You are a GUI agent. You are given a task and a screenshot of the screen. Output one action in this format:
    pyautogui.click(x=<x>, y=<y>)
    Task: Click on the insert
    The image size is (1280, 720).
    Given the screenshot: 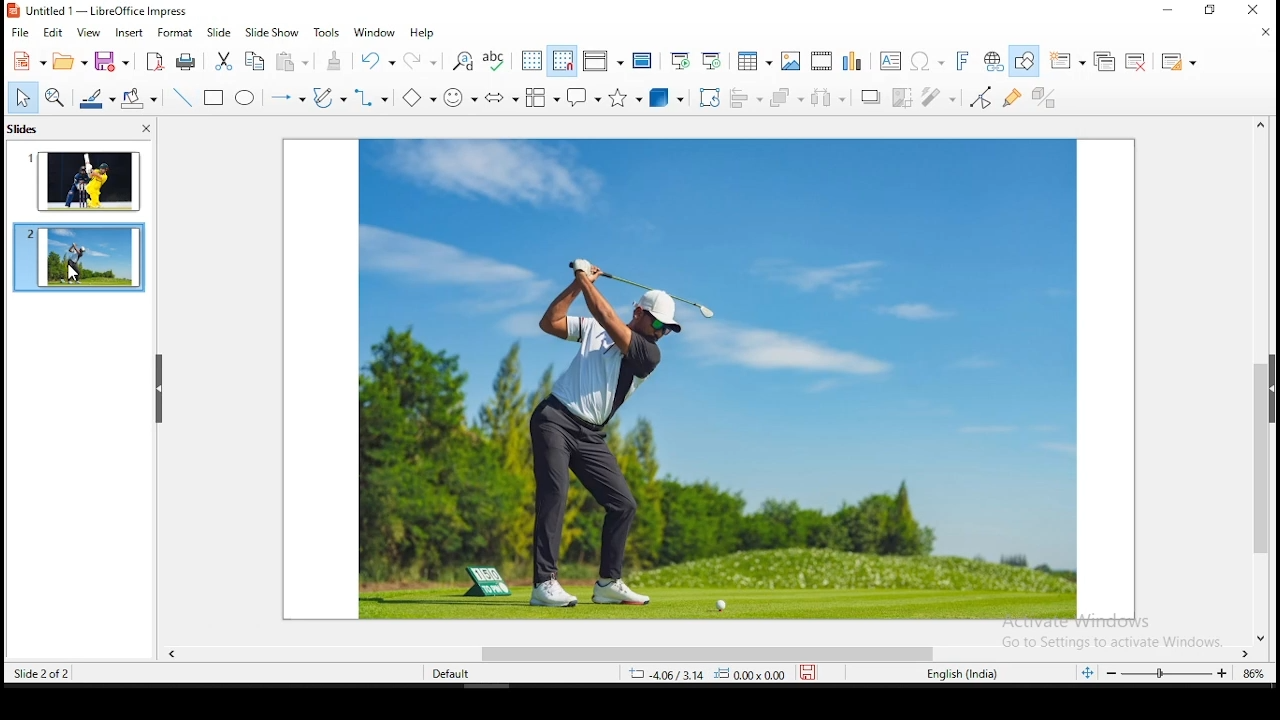 What is the action you would take?
    pyautogui.click(x=128, y=35)
    